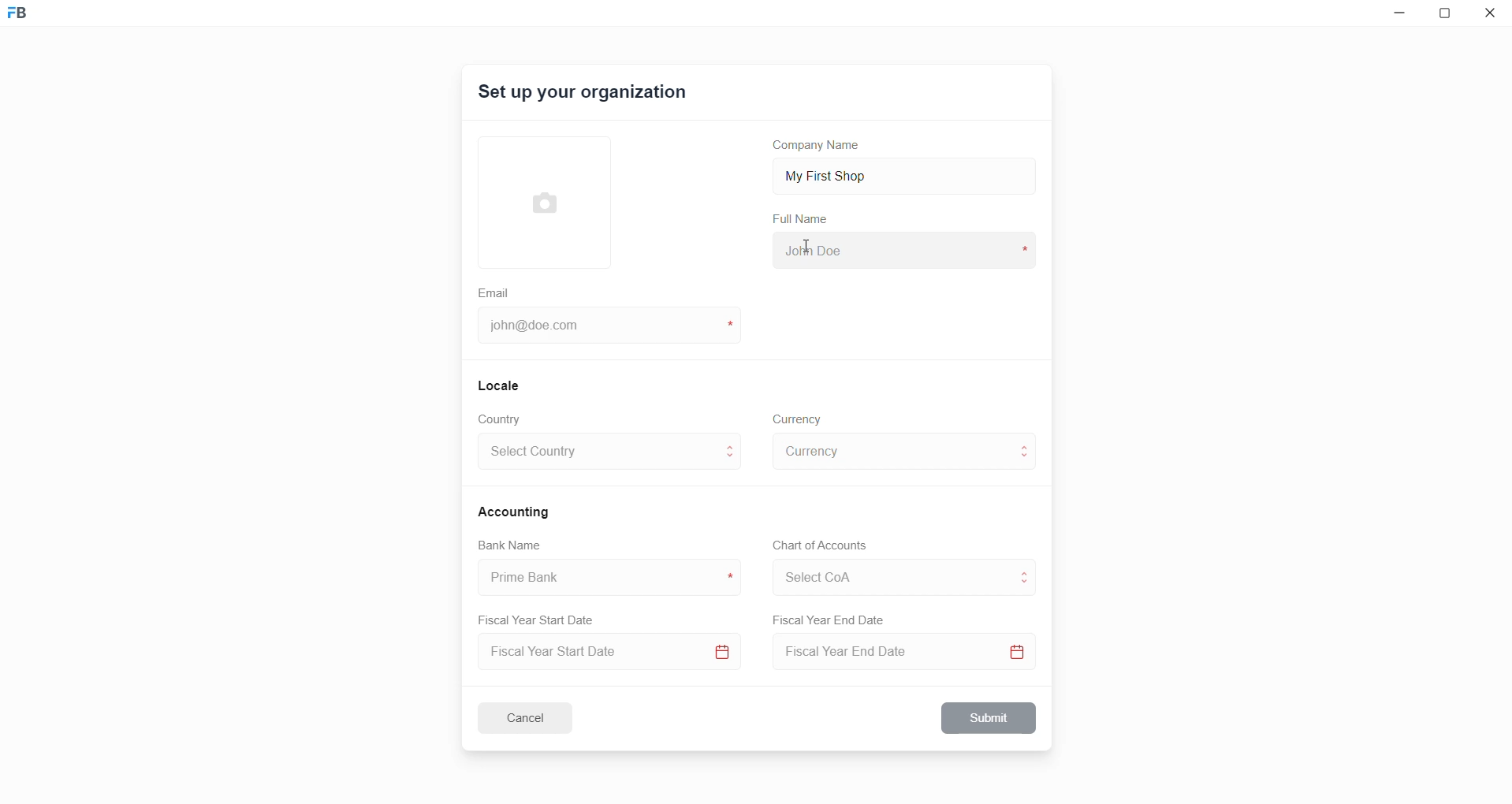  What do you see at coordinates (535, 717) in the screenshot?
I see `Cancel ` at bounding box center [535, 717].